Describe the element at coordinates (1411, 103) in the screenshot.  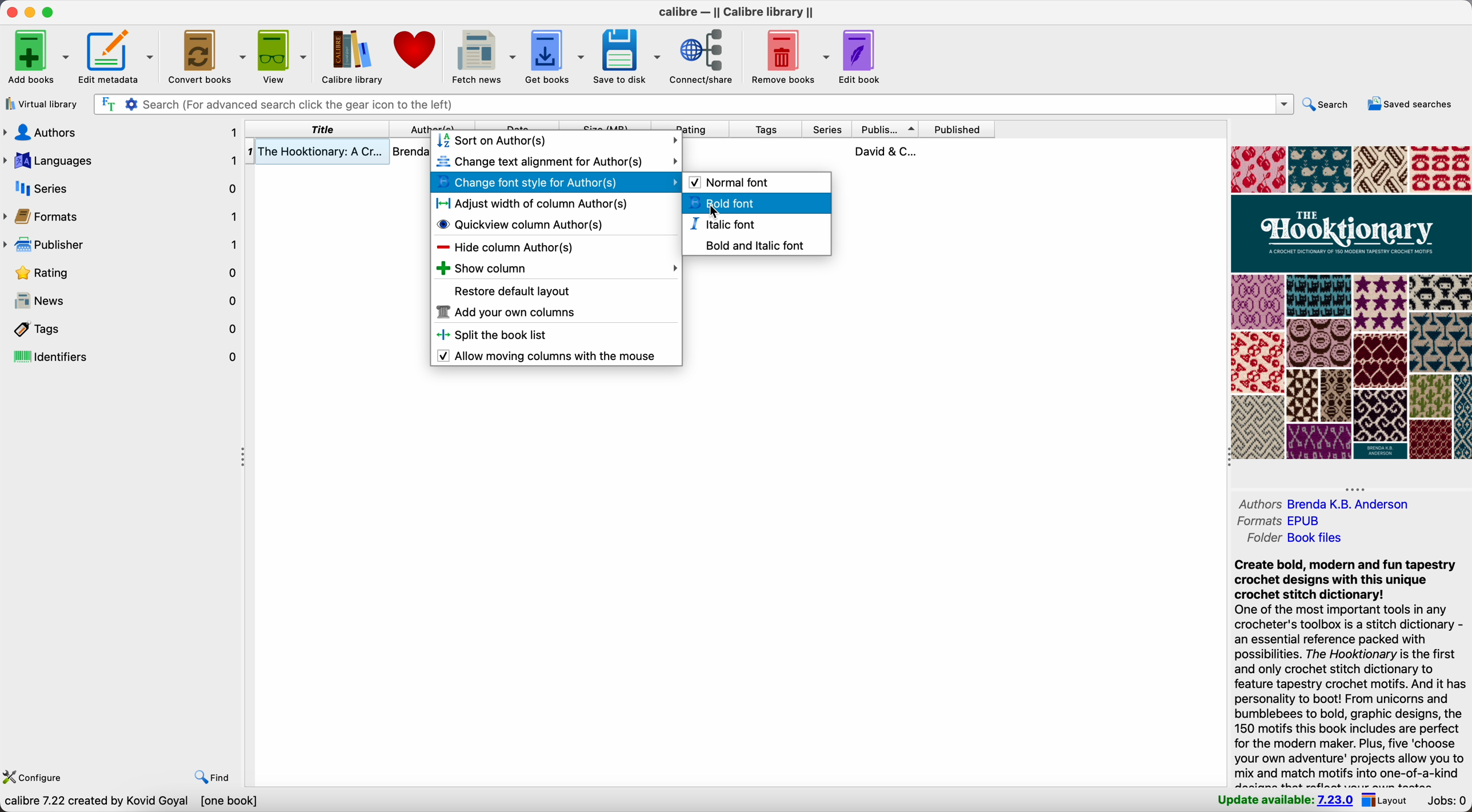
I see `saved searches` at that location.